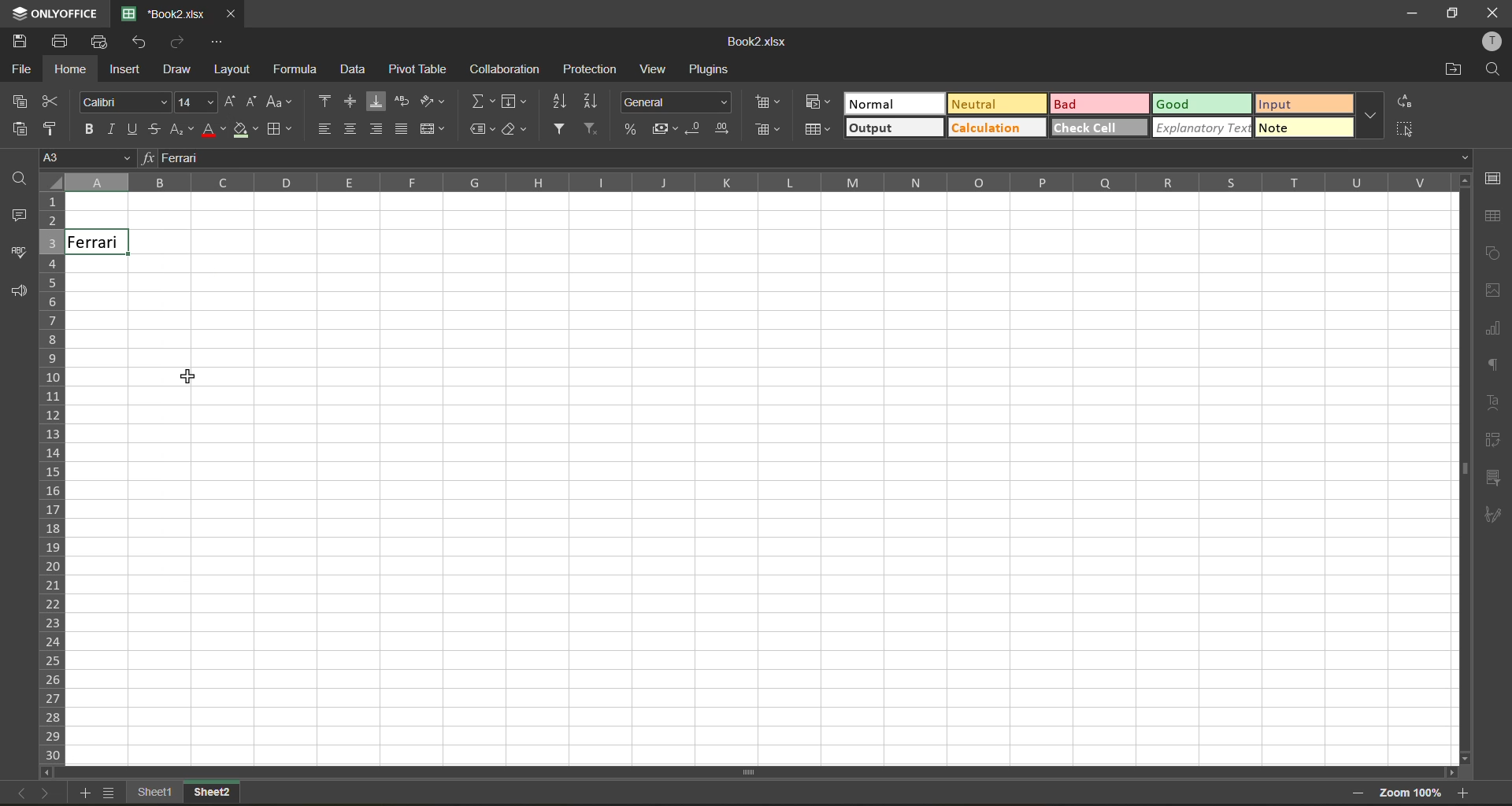 This screenshot has height=806, width=1512. I want to click on sheet list, so click(109, 794).